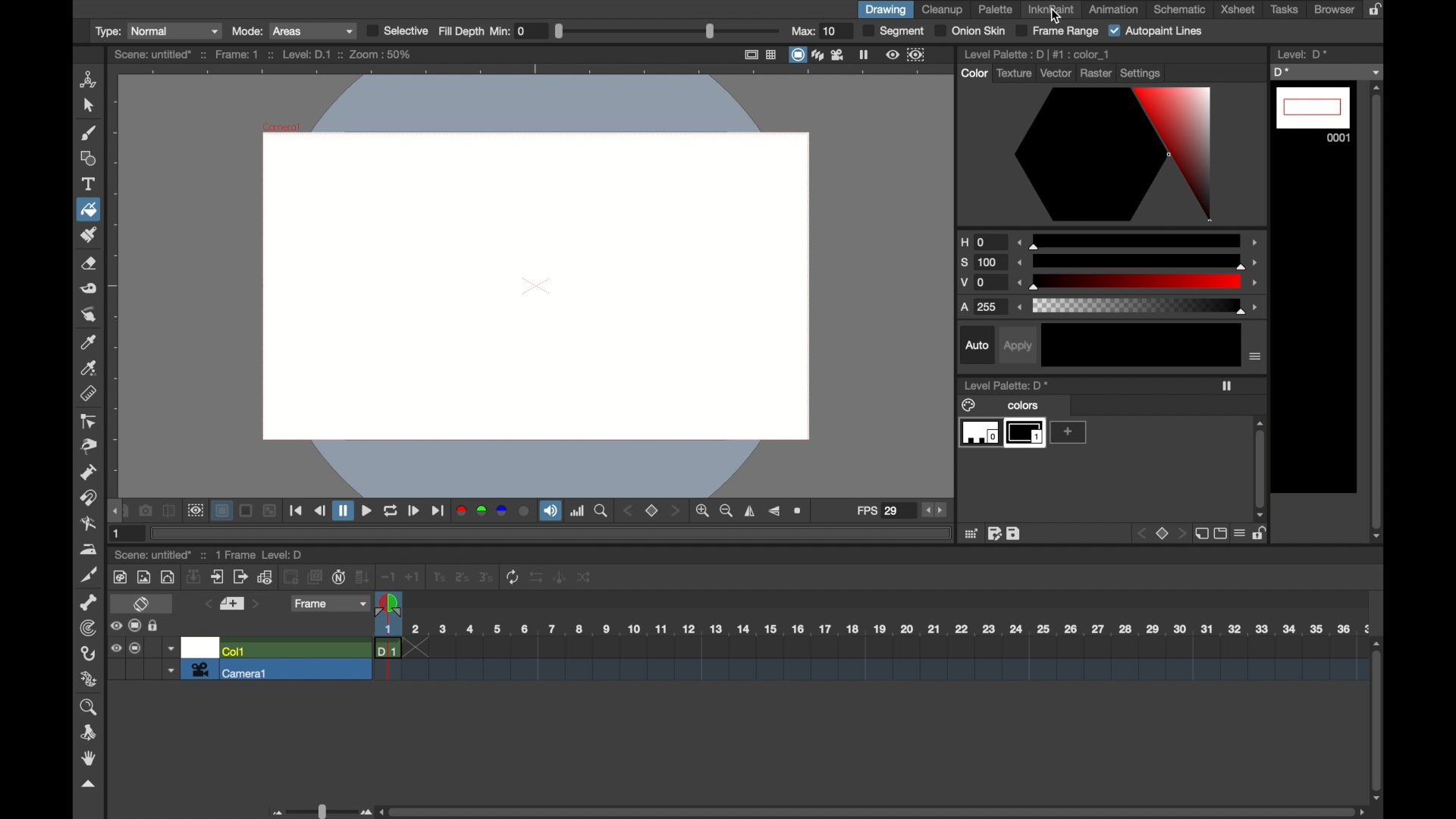 The height and width of the screenshot is (819, 1456). Describe the element at coordinates (800, 511) in the screenshot. I see `zoom` at that location.